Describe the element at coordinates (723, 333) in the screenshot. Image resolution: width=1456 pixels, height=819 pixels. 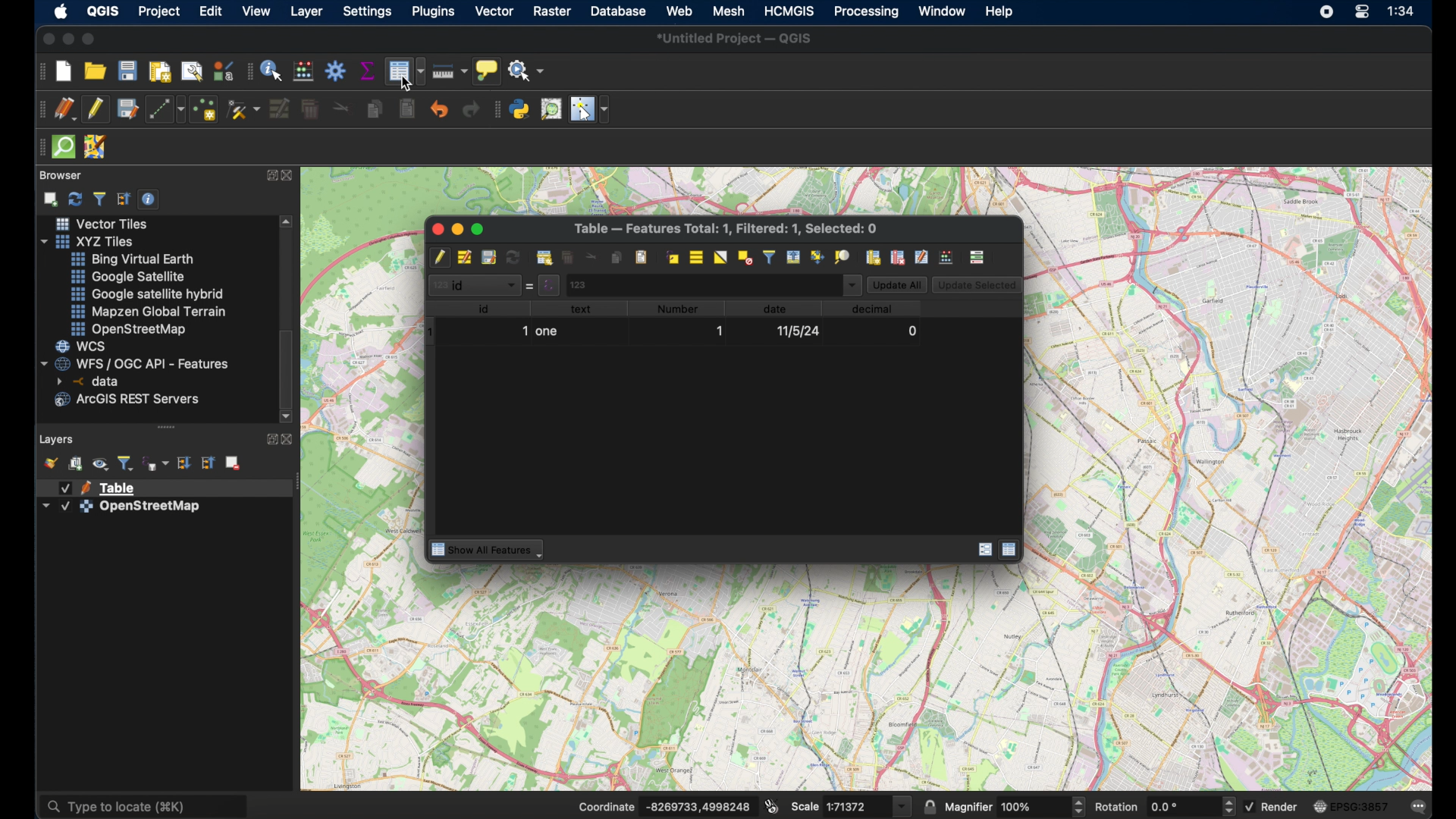
I see `1` at that location.